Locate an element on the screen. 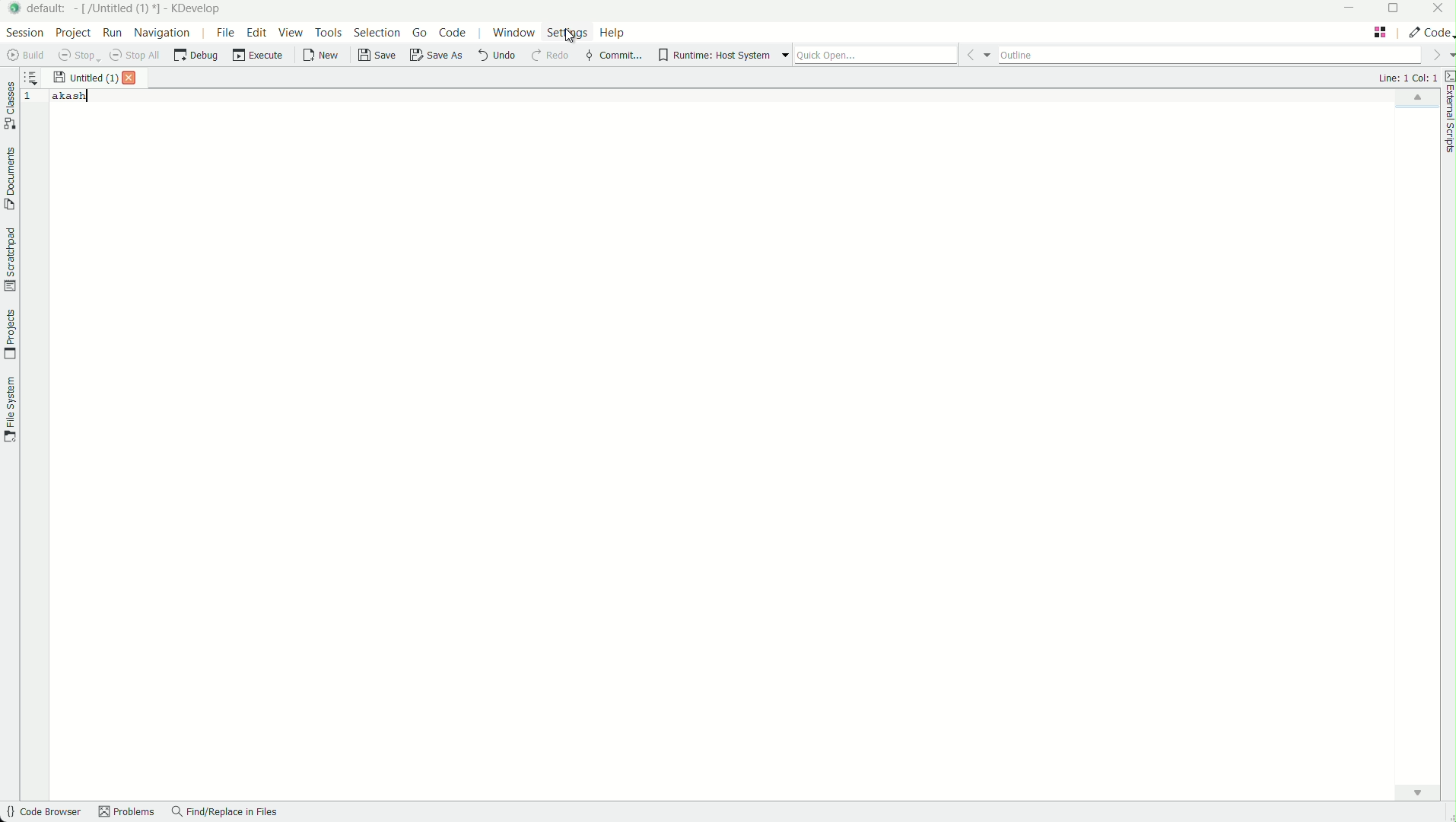 The image size is (1456, 822). redo is located at coordinates (548, 56).